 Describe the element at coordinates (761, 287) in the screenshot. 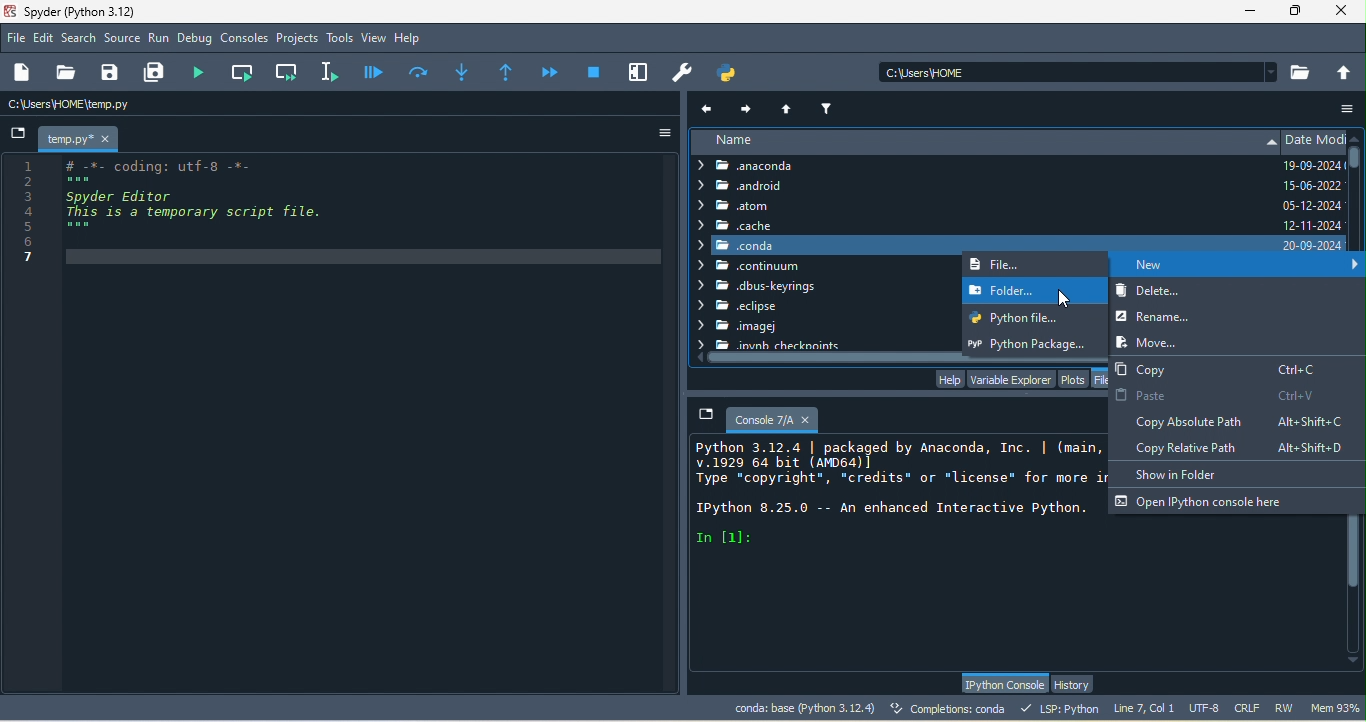

I see `dbus keyrings` at that location.